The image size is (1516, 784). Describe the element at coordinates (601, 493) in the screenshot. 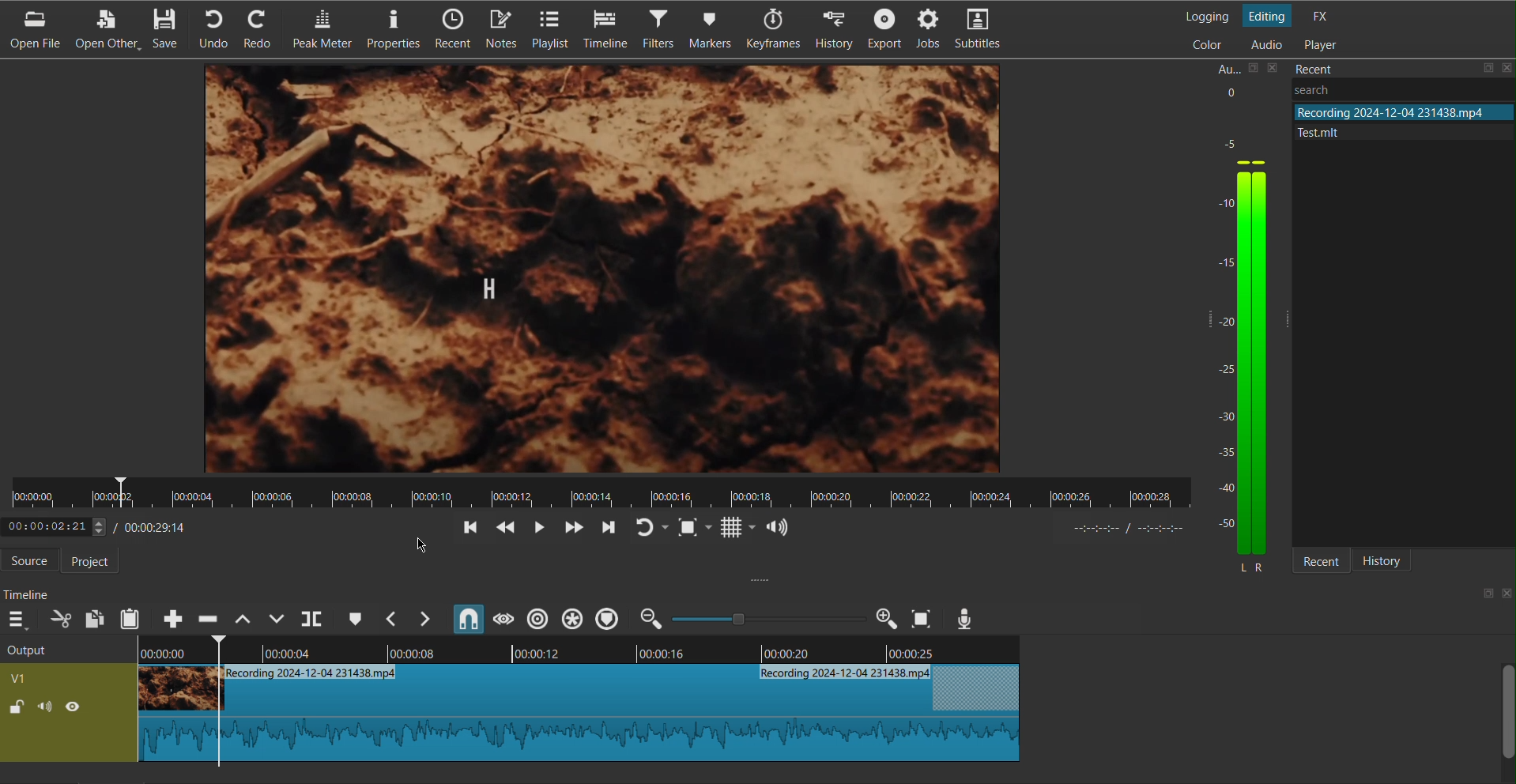

I see `Timeline` at that location.